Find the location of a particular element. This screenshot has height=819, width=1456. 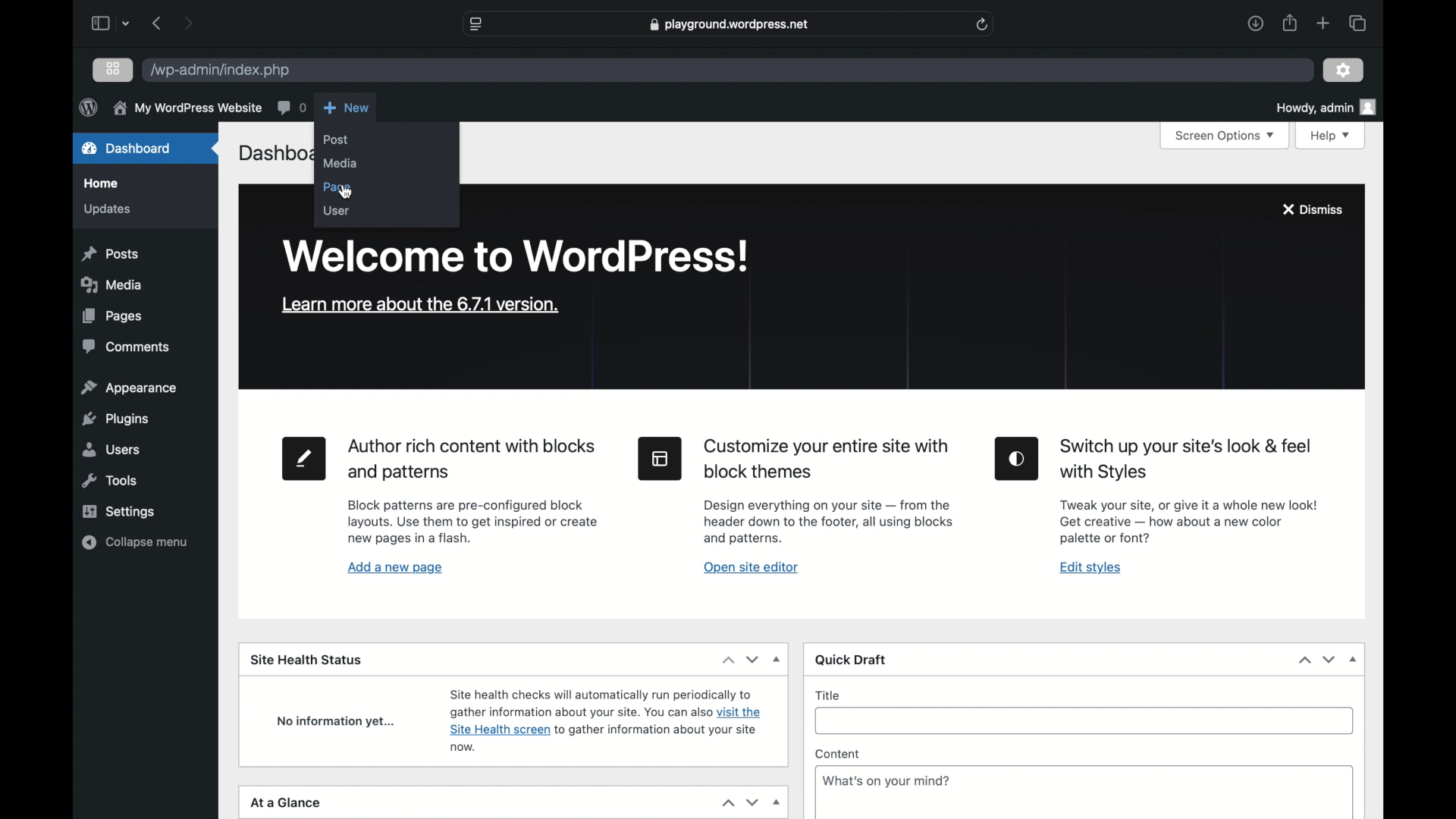

cursor is located at coordinates (345, 192).